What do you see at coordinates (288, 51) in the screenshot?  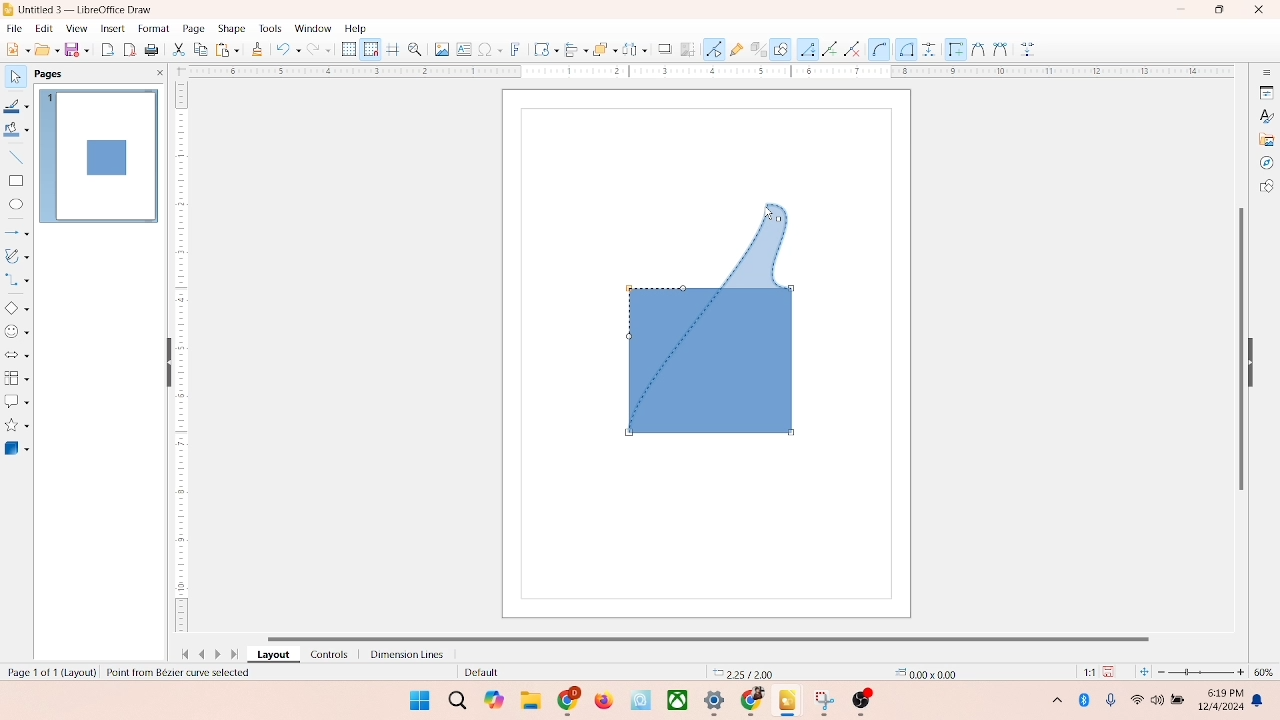 I see `undo` at bounding box center [288, 51].